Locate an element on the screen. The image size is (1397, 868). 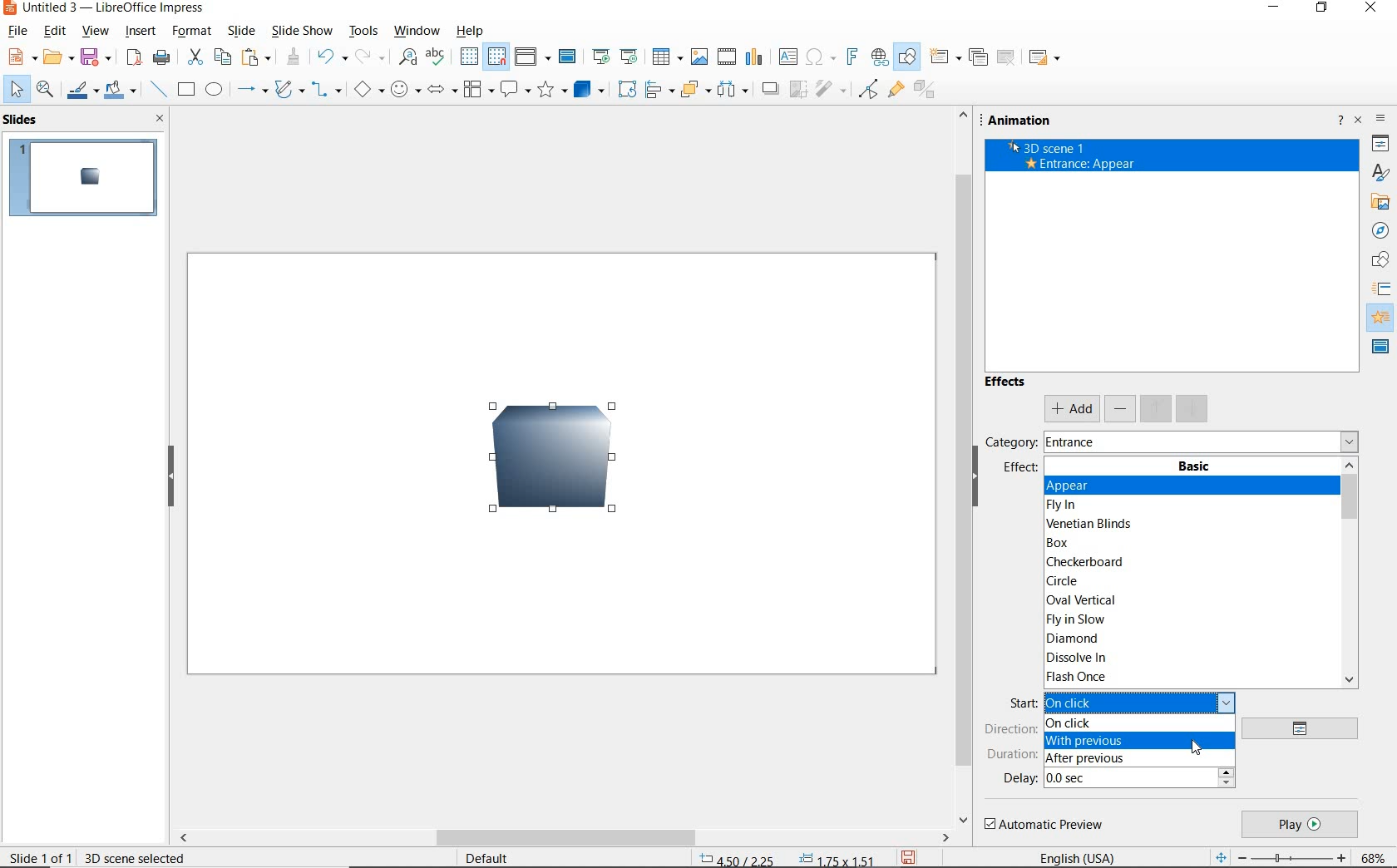
WITH PREVIOUS is located at coordinates (1137, 740).